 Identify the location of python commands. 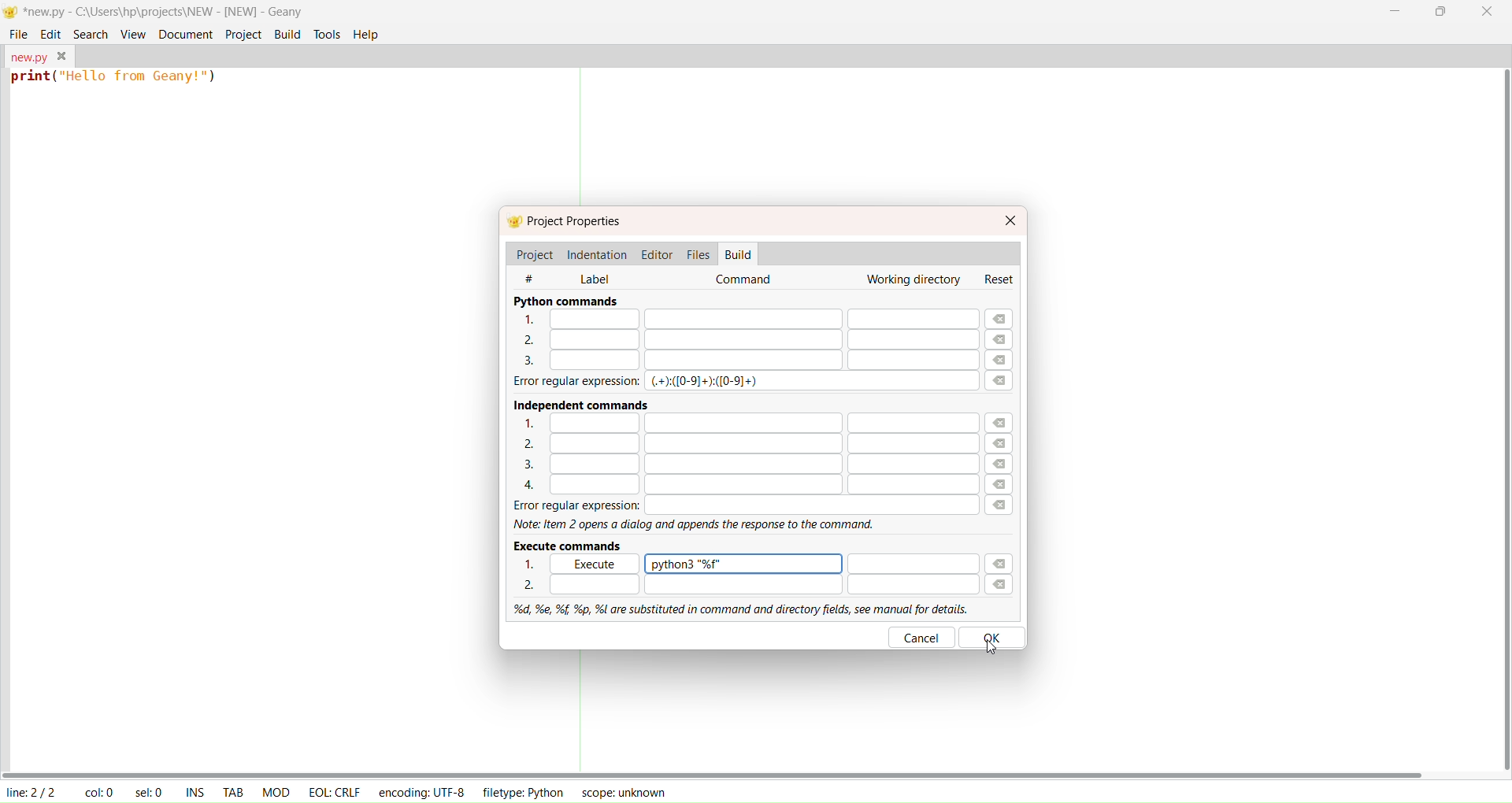
(565, 301).